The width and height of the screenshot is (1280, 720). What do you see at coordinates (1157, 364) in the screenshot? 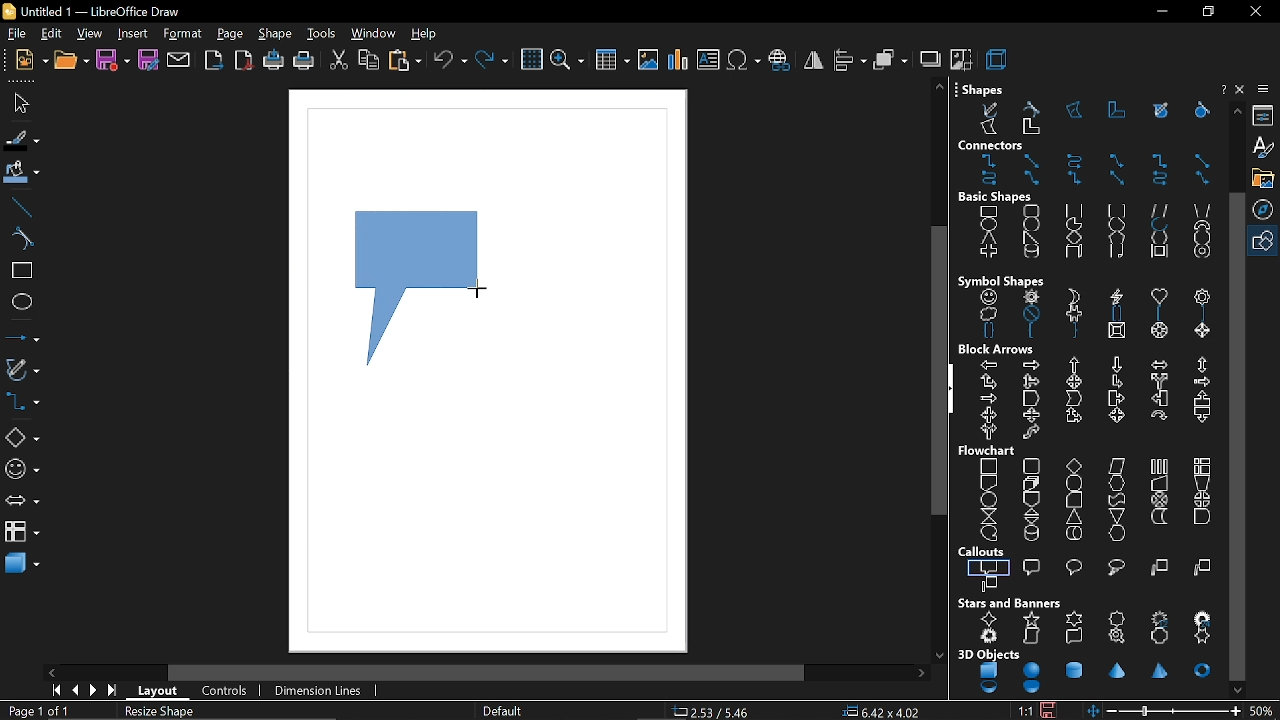
I see `left and right arrow` at bounding box center [1157, 364].